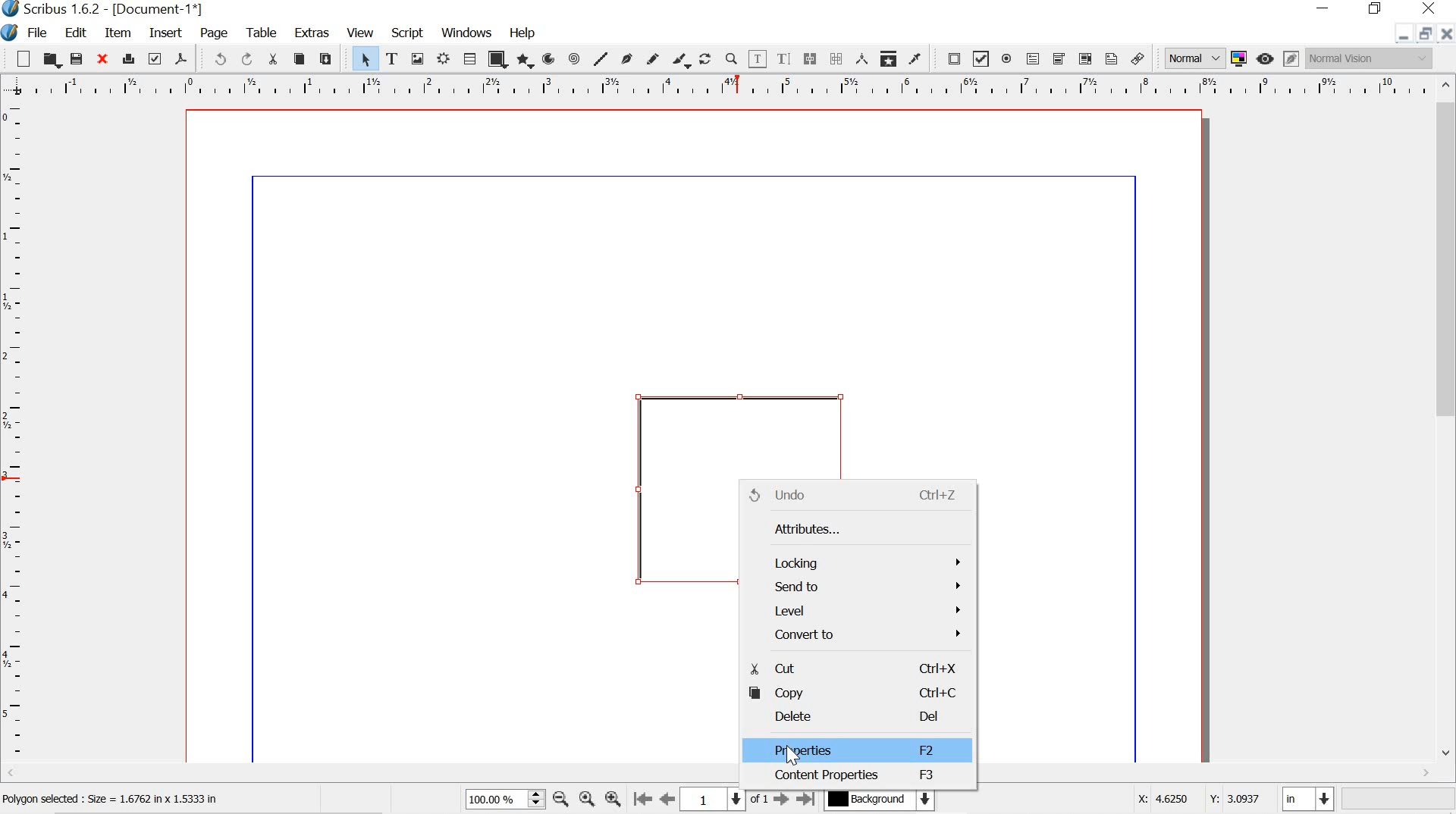 The height and width of the screenshot is (814, 1456). What do you see at coordinates (165, 34) in the screenshot?
I see `INSERT` at bounding box center [165, 34].